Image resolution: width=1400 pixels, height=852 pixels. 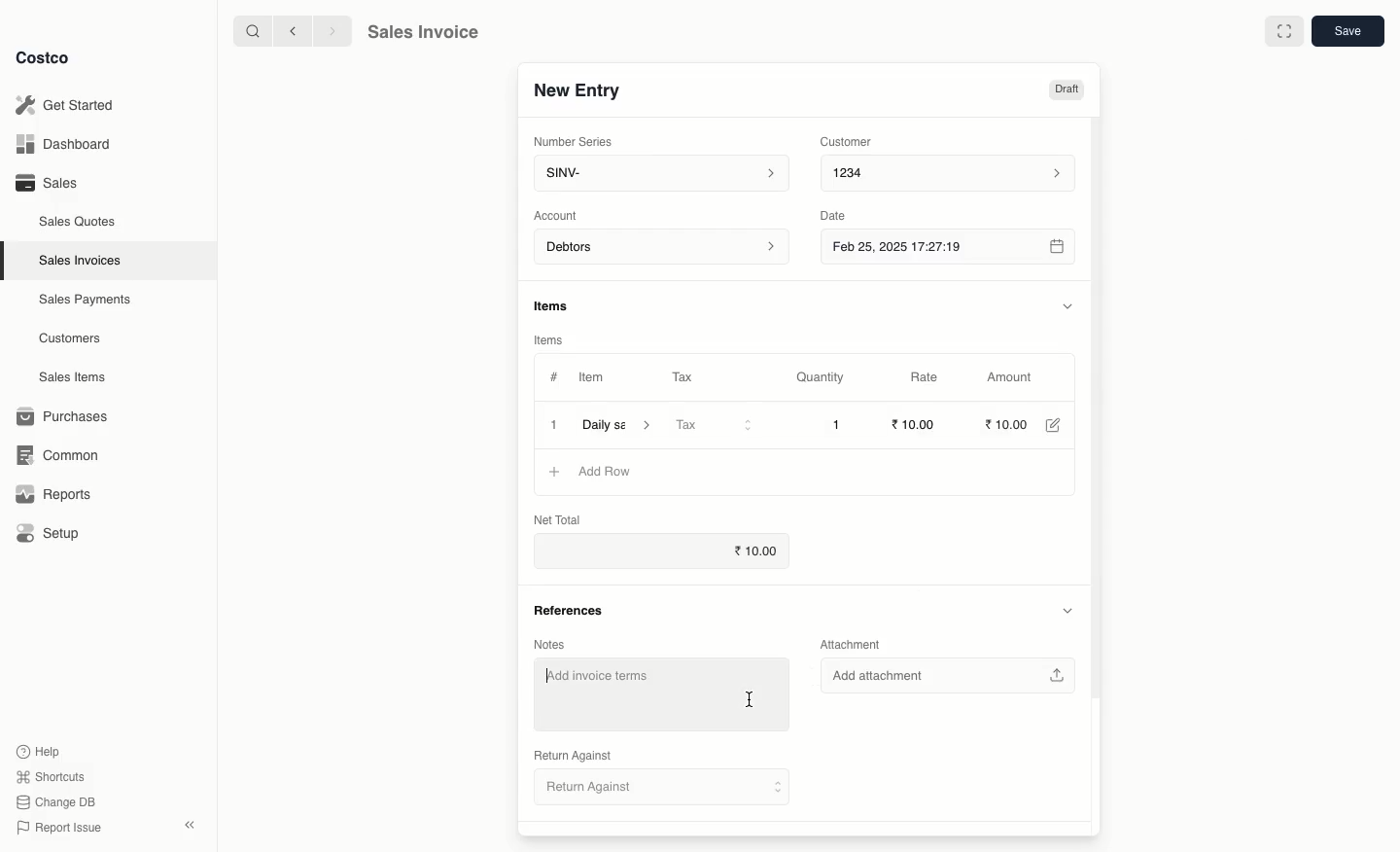 I want to click on Tax, so click(x=715, y=425).